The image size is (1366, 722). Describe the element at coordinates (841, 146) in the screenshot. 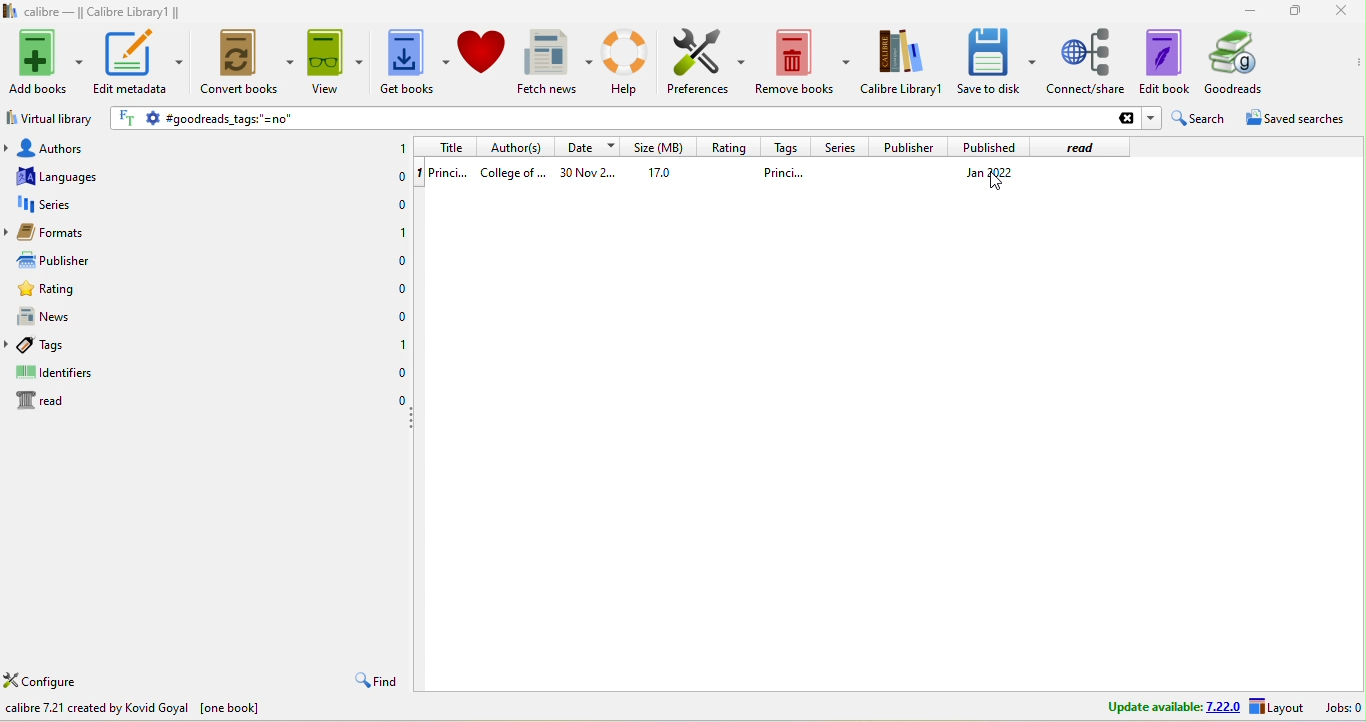

I see `series` at that location.